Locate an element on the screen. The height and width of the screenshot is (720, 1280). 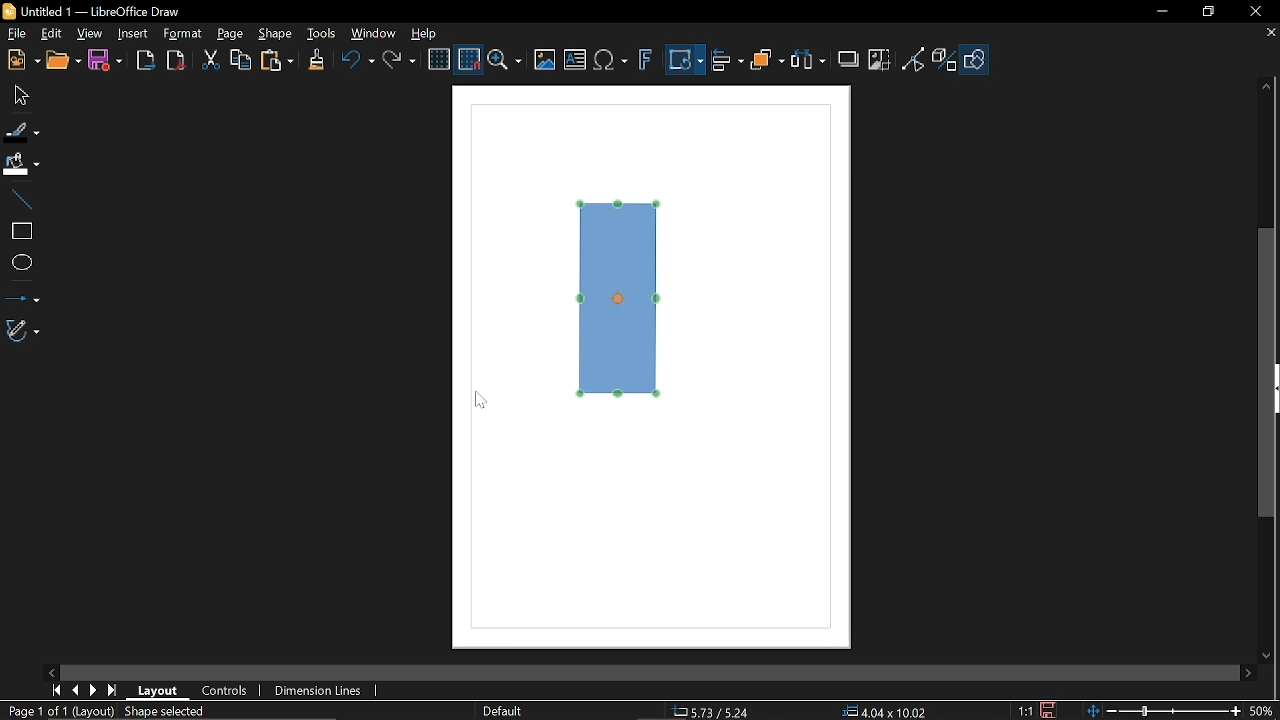
Toggle  is located at coordinates (914, 61).